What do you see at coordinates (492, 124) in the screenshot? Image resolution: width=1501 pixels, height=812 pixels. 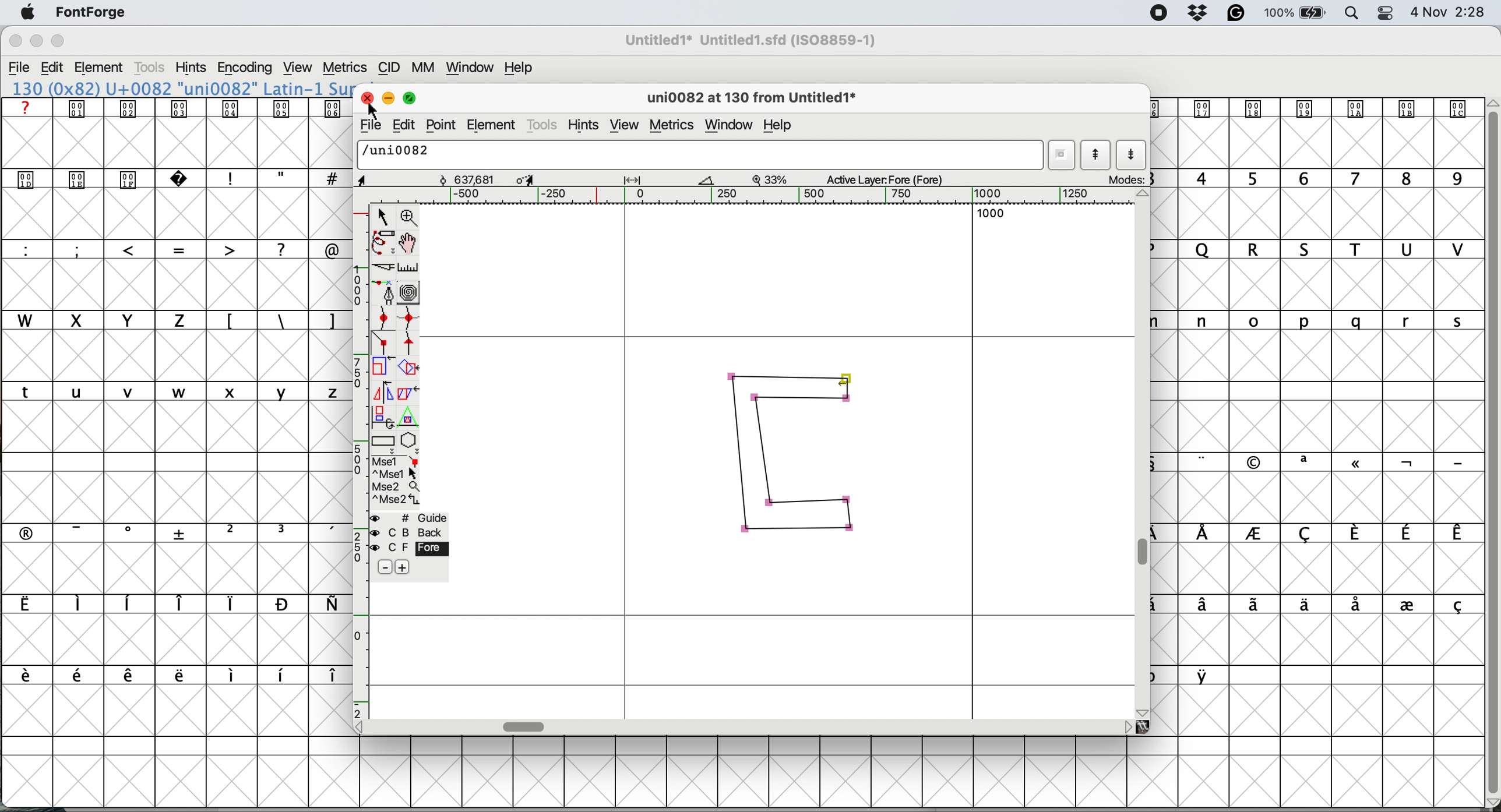 I see `element` at bounding box center [492, 124].